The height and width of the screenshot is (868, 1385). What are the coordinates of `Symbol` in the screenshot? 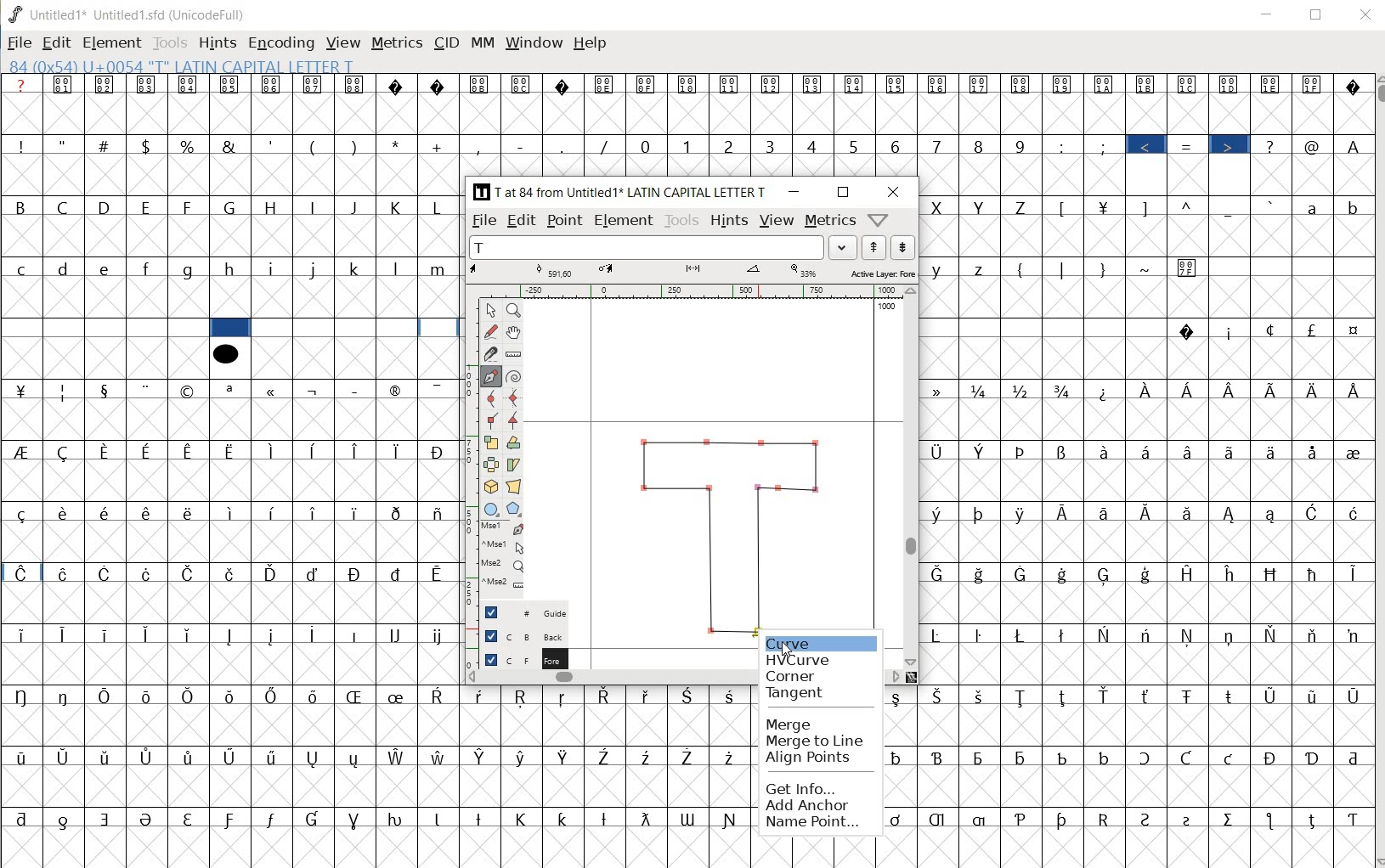 It's located at (66, 636).